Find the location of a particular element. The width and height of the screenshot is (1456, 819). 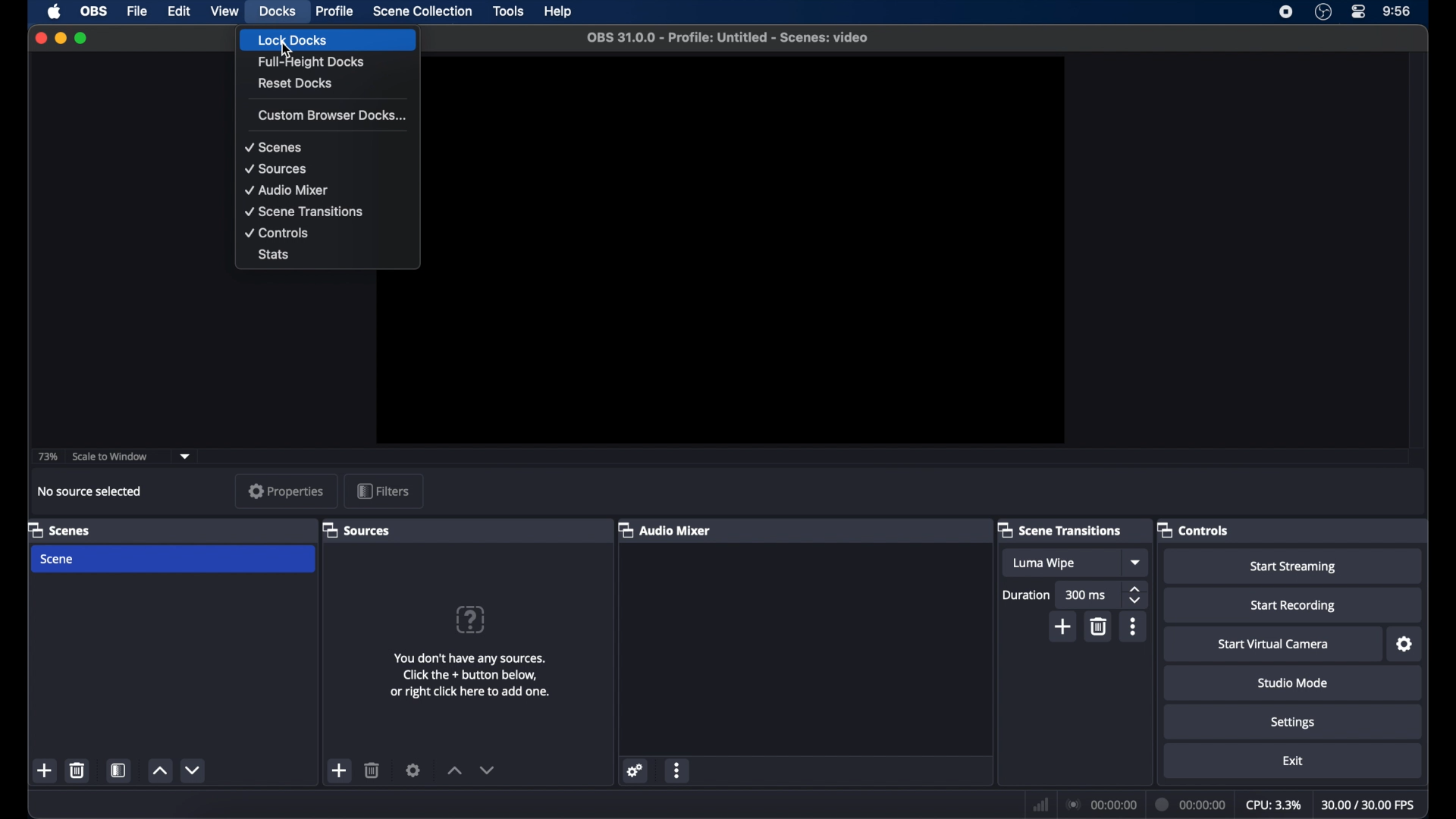

close is located at coordinates (40, 38).